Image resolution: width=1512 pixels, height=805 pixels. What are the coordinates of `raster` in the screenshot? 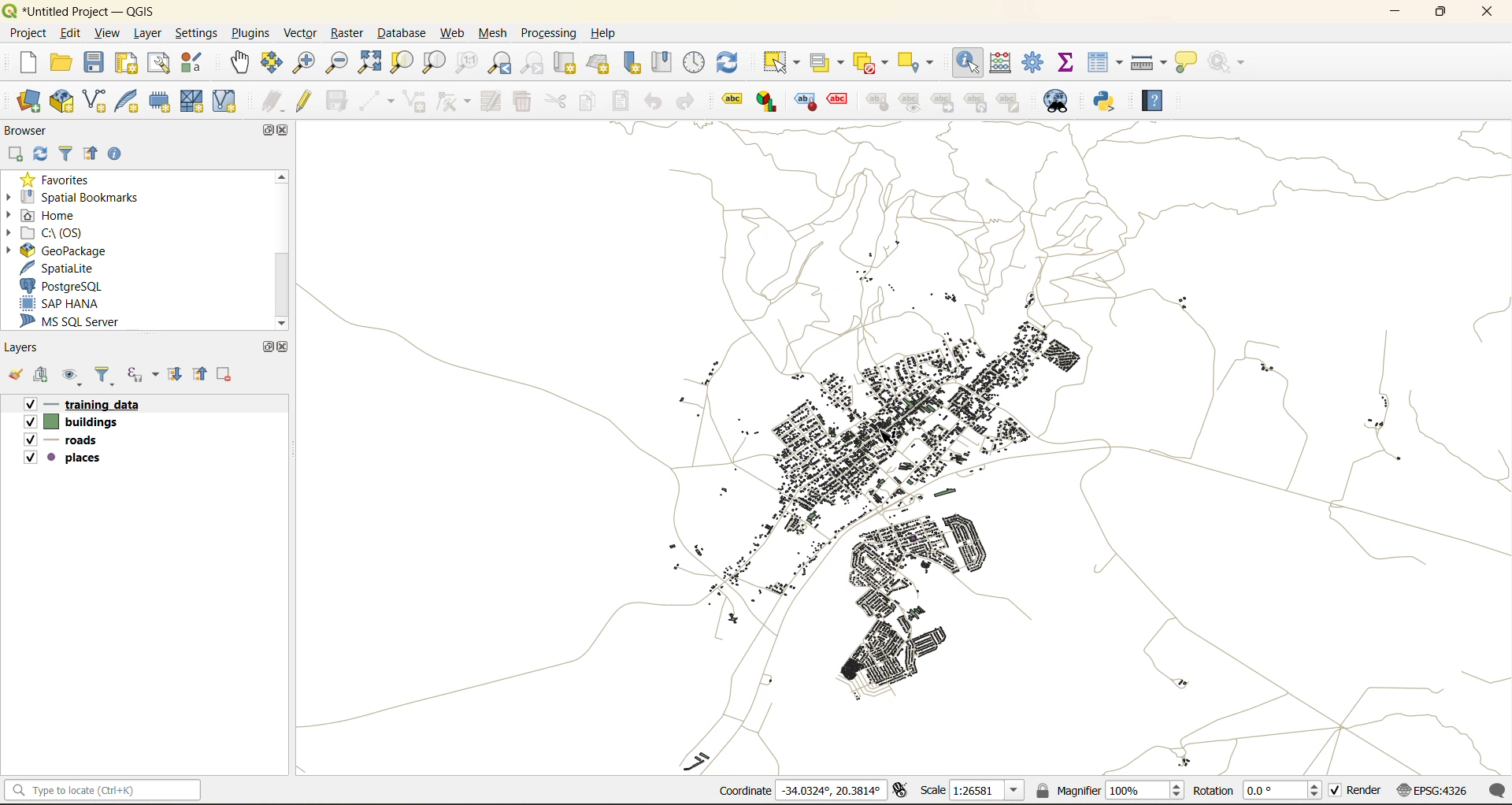 It's located at (347, 34).